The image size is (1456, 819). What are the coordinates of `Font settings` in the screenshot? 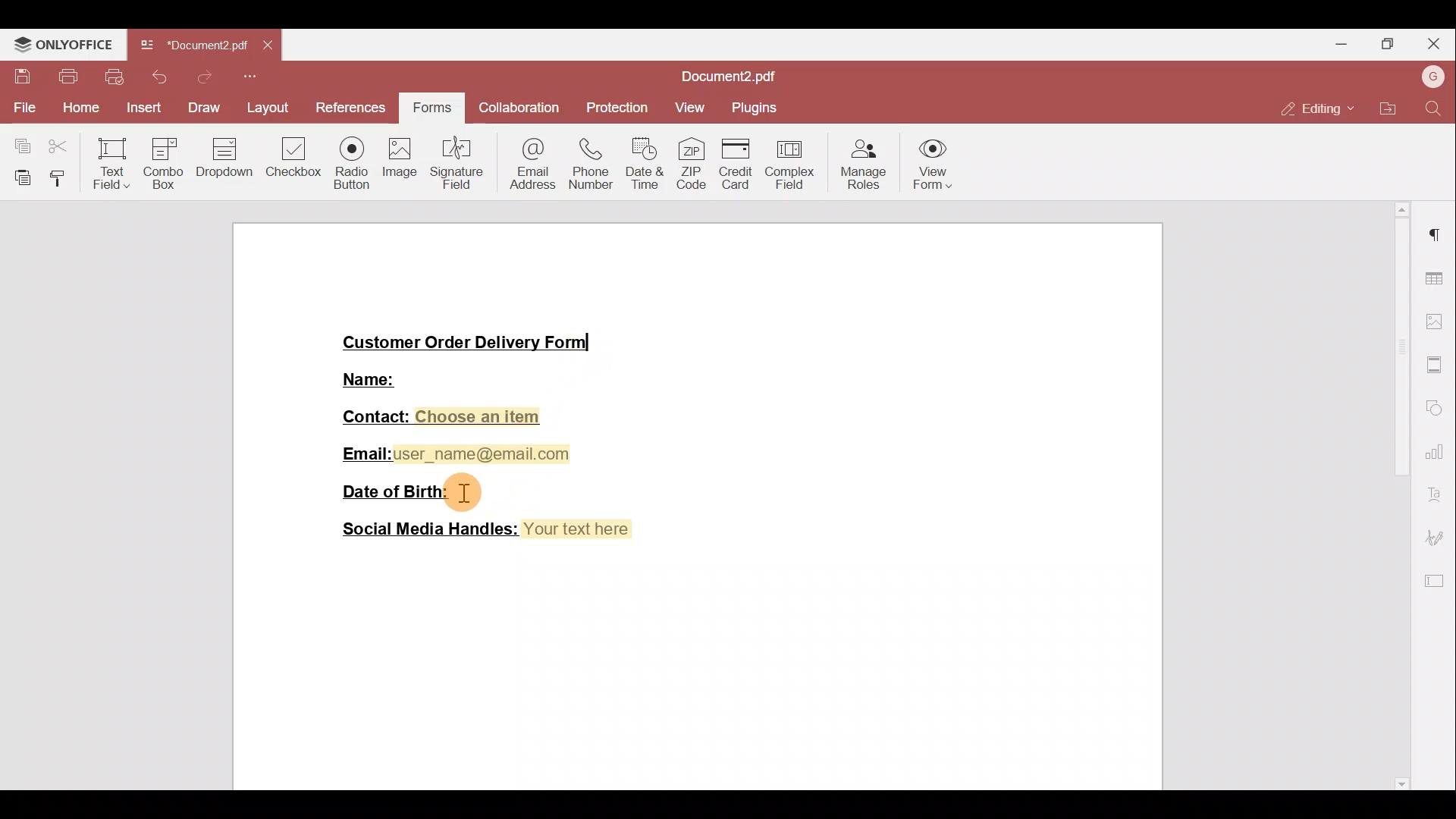 It's located at (1436, 496).